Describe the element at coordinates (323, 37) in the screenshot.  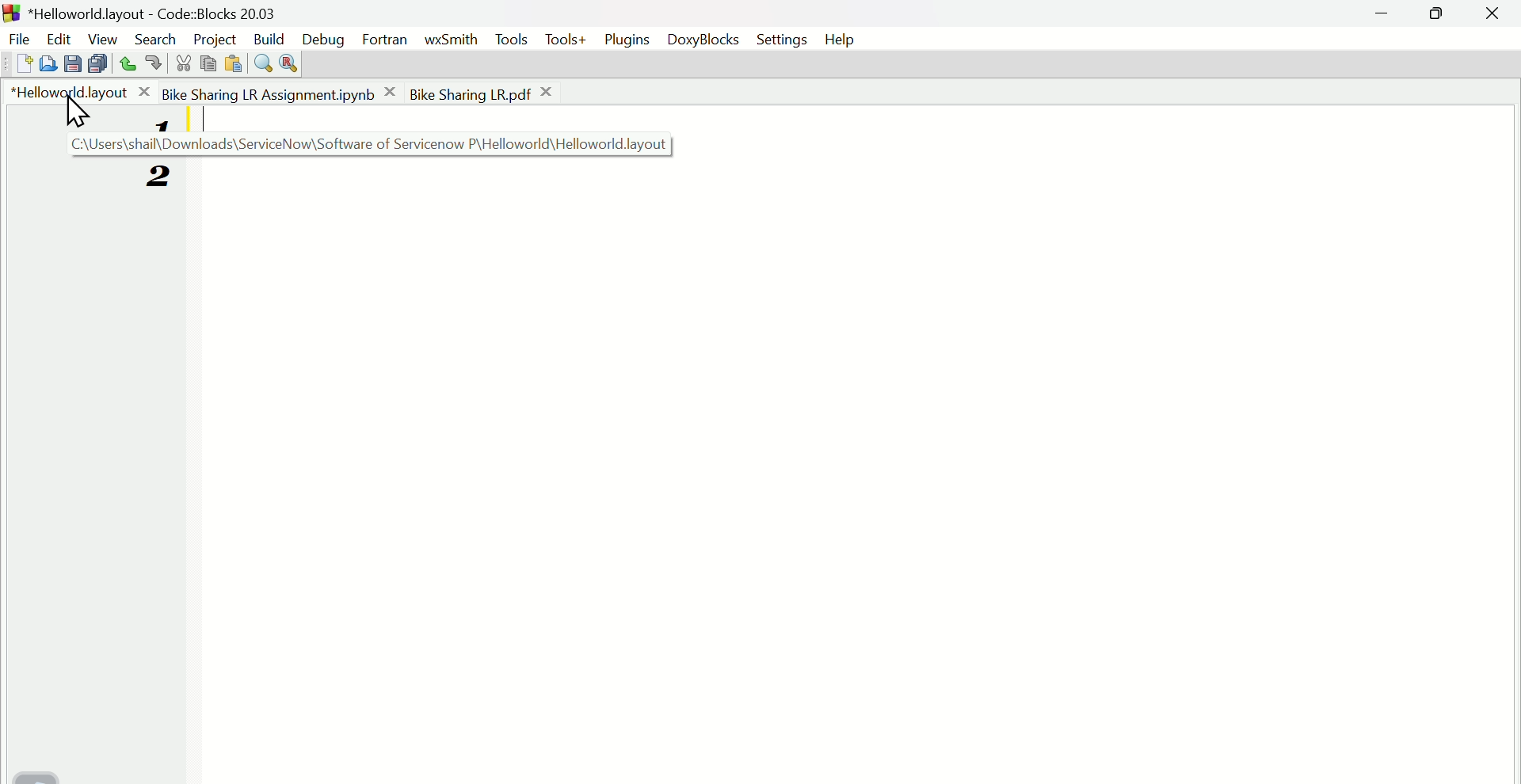
I see `Debug` at that location.